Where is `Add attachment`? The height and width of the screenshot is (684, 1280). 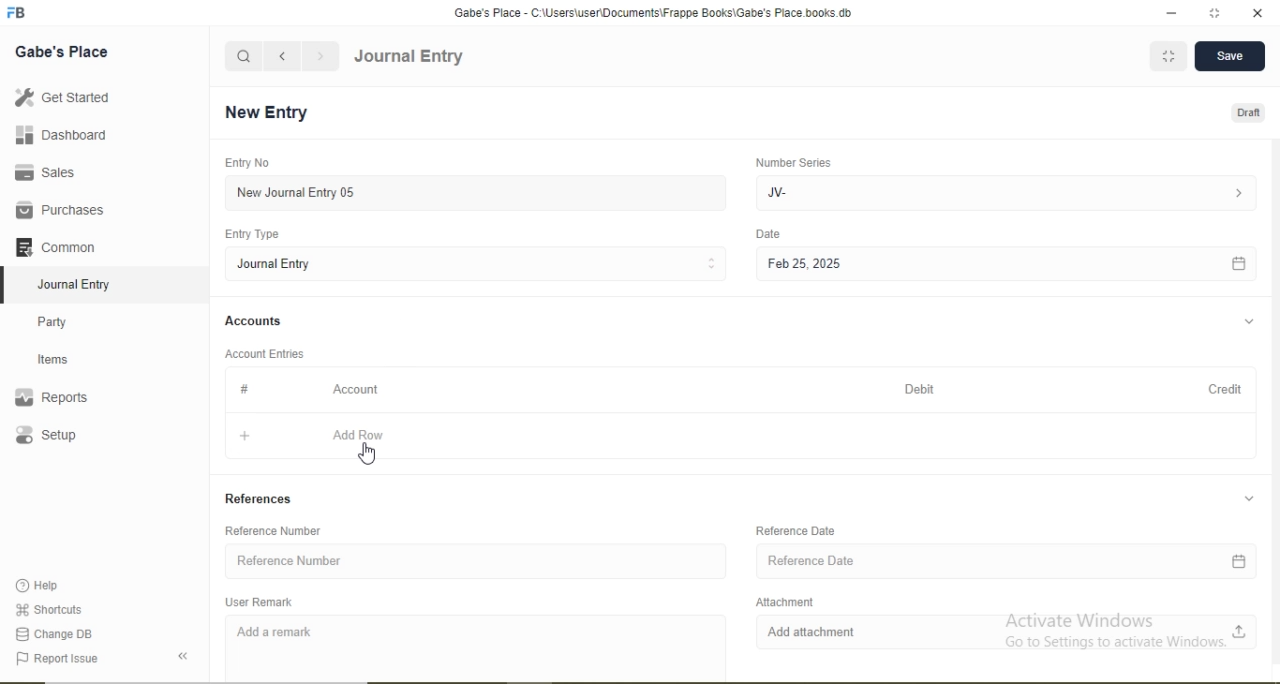
Add attachment is located at coordinates (1006, 632).